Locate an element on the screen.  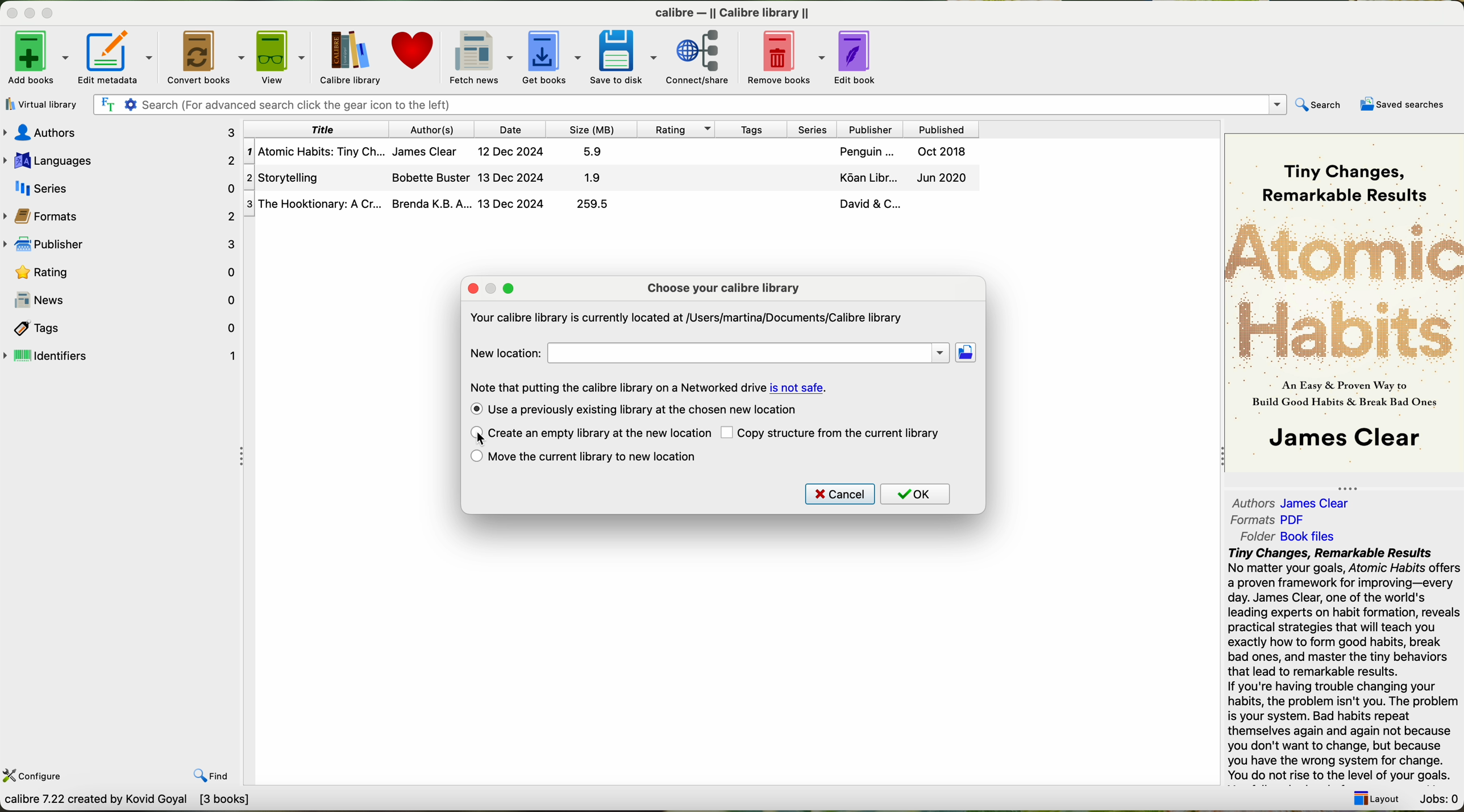
choose your calibre library is located at coordinates (723, 288).